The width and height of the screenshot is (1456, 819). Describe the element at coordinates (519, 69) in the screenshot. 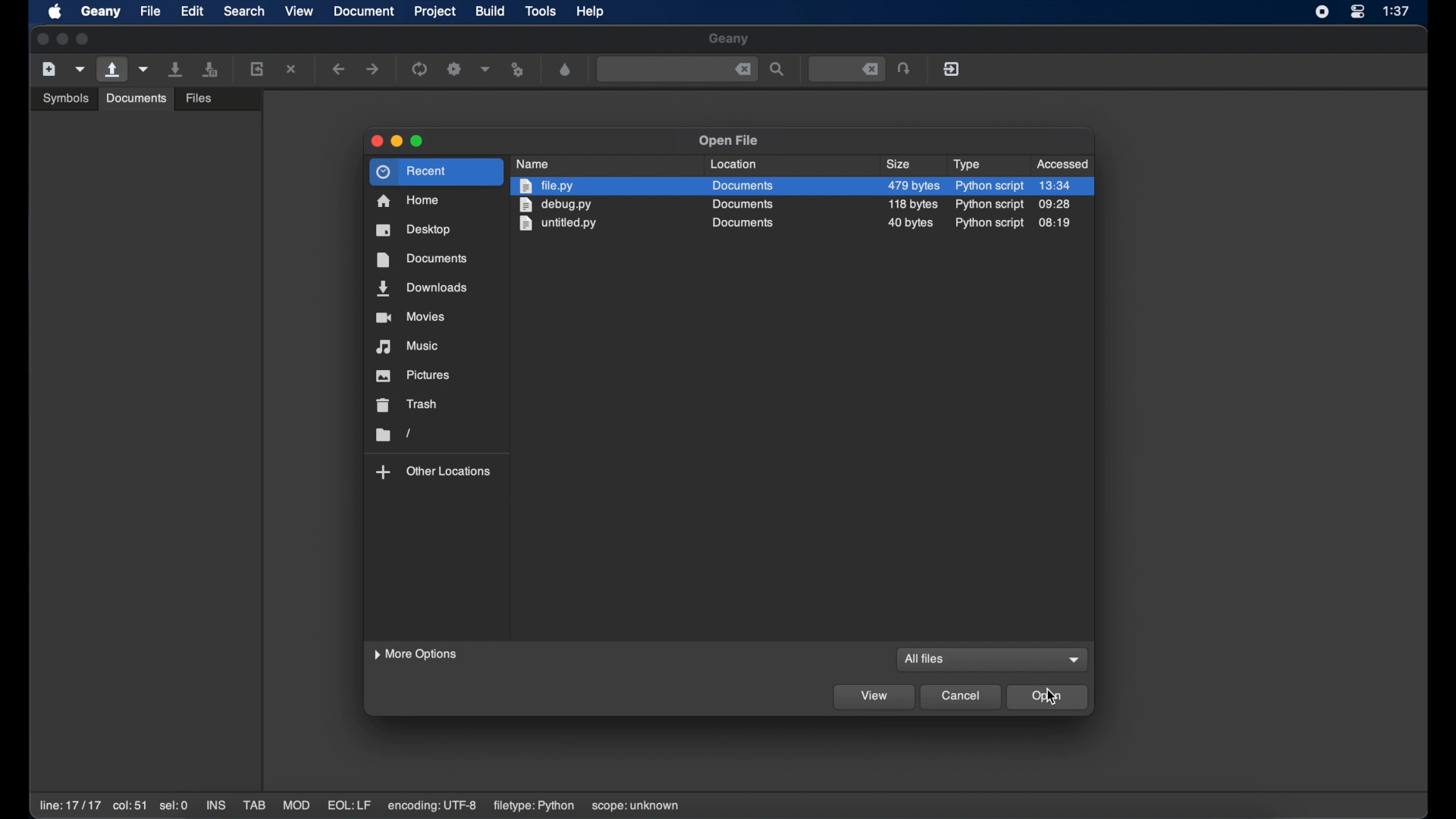

I see `run or view current file` at that location.